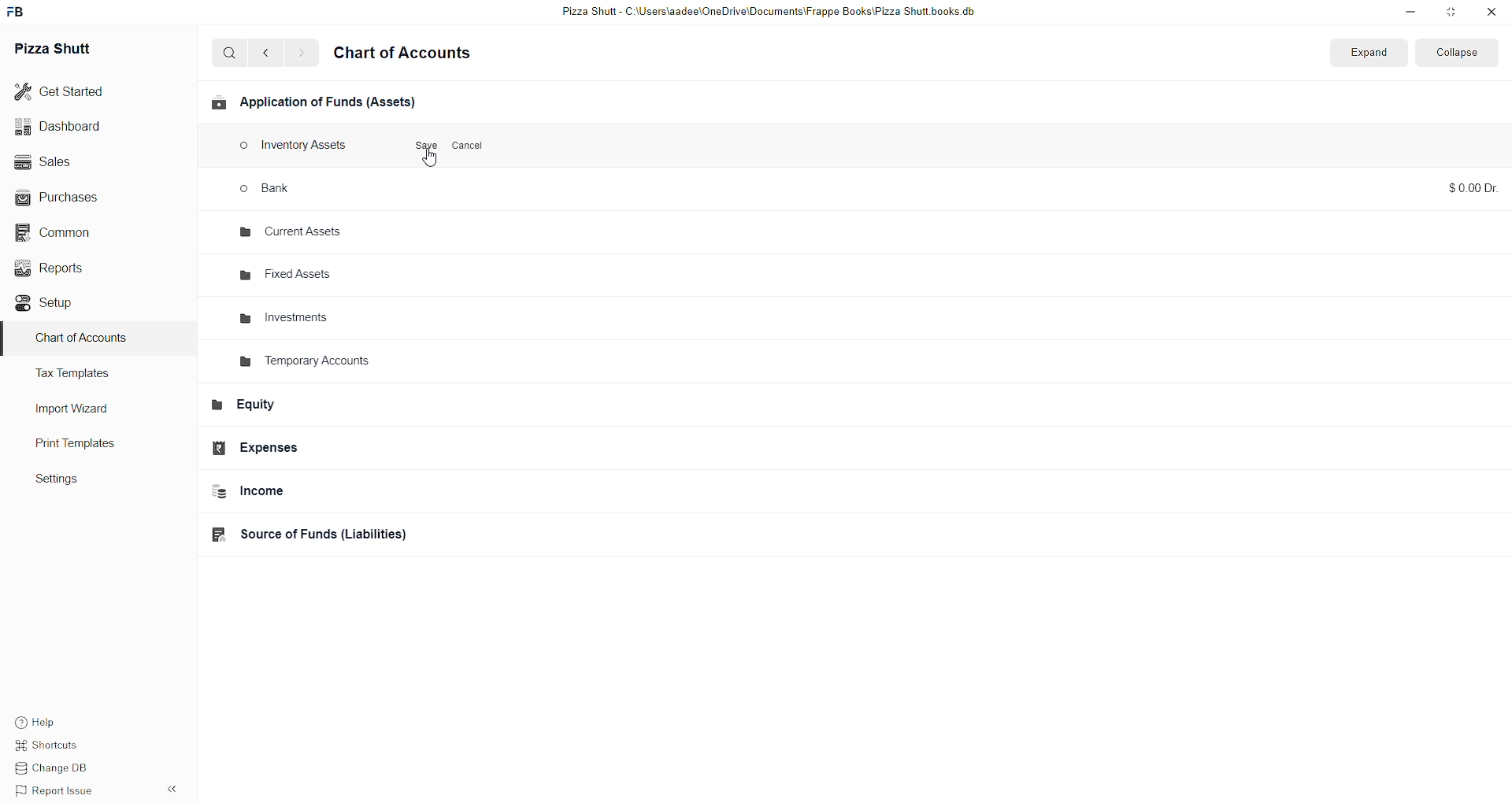 The width and height of the screenshot is (1512, 803). What do you see at coordinates (1491, 15) in the screenshot?
I see `close` at bounding box center [1491, 15].